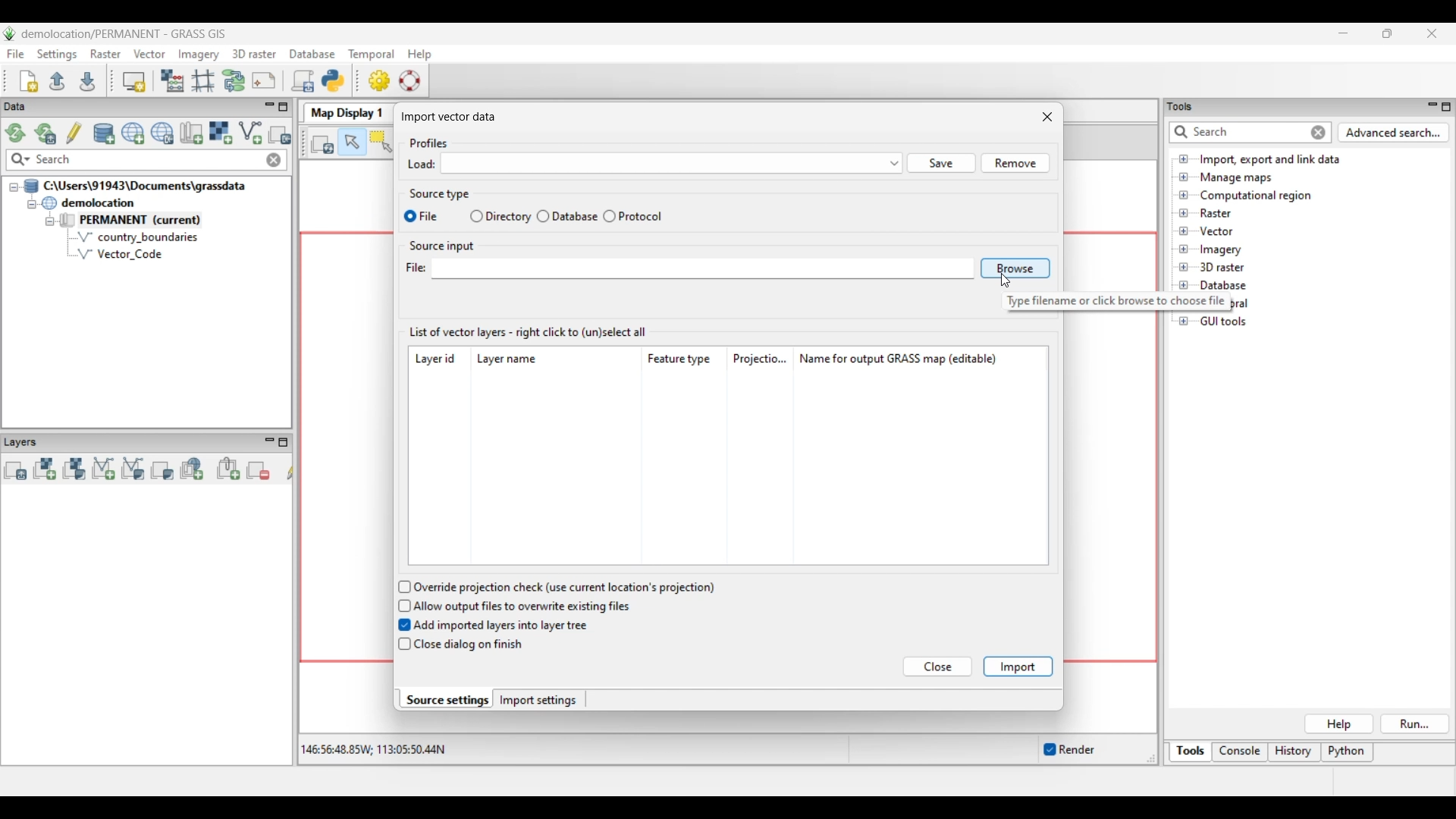  What do you see at coordinates (172, 80) in the screenshot?
I see `Raster map calculator` at bounding box center [172, 80].